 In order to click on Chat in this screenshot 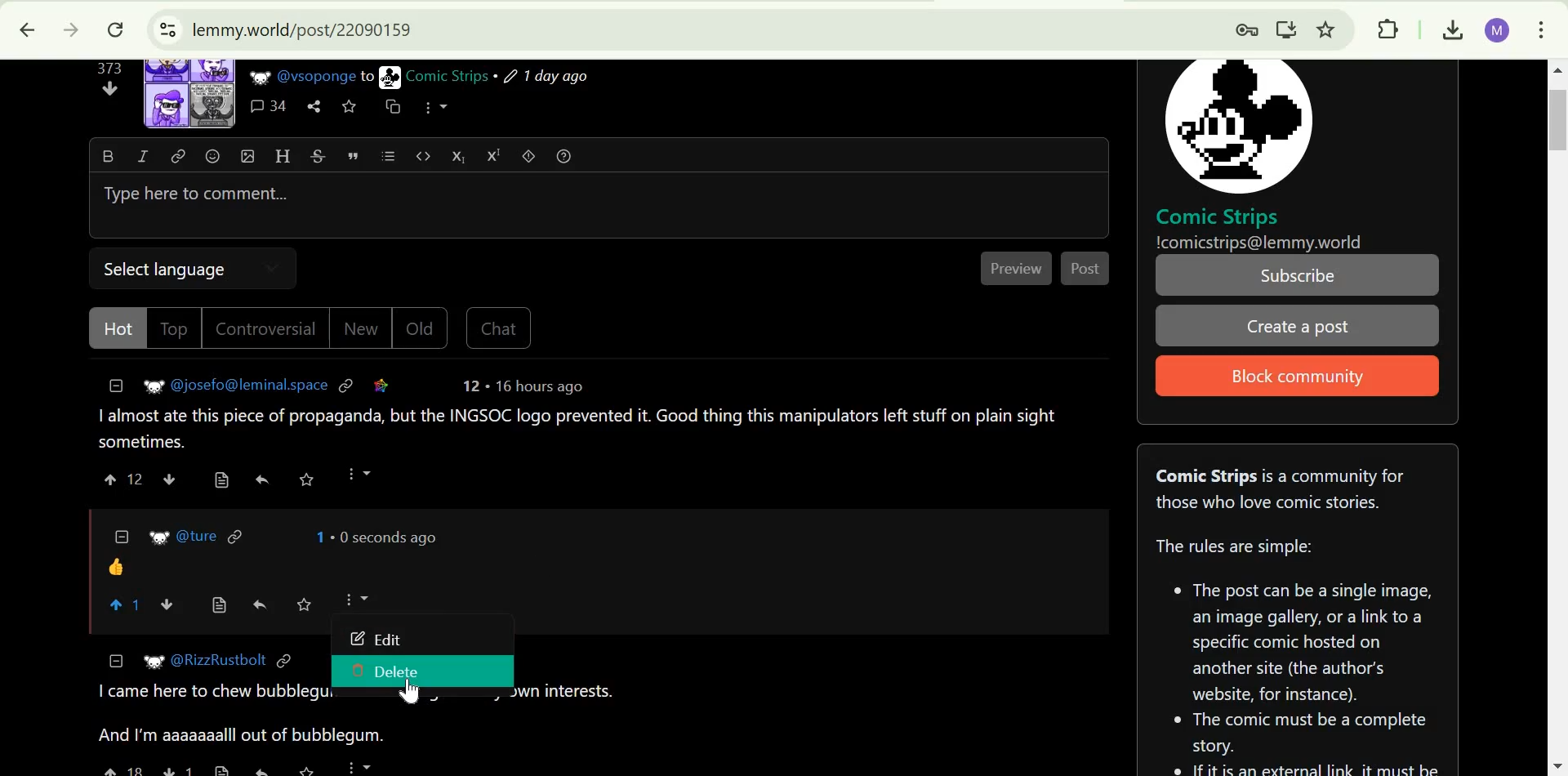, I will do `click(498, 329)`.